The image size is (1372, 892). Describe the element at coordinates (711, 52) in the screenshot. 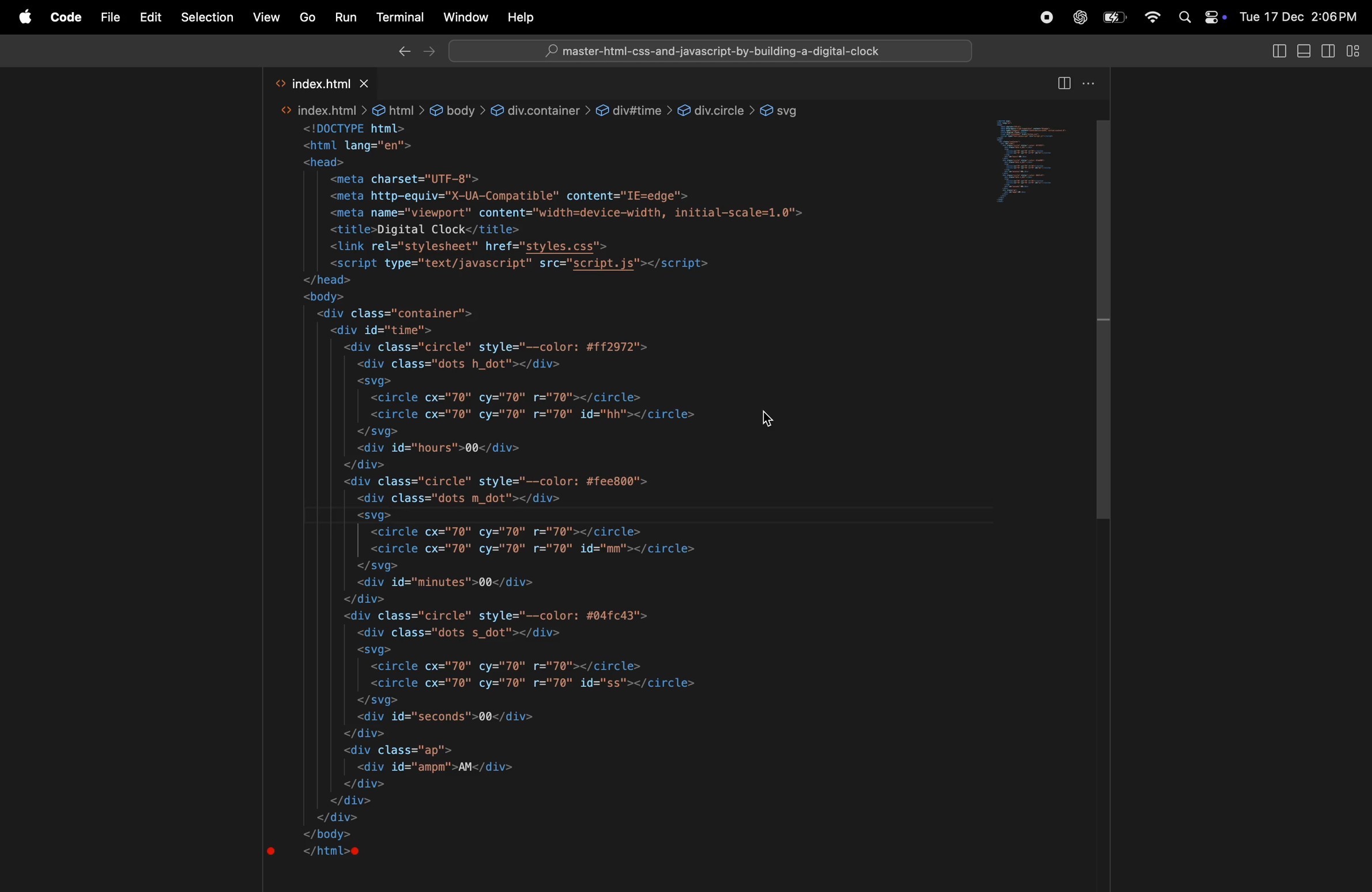

I see `' master-html-css-and-javascript-by-building-a-digital-clock` at that location.